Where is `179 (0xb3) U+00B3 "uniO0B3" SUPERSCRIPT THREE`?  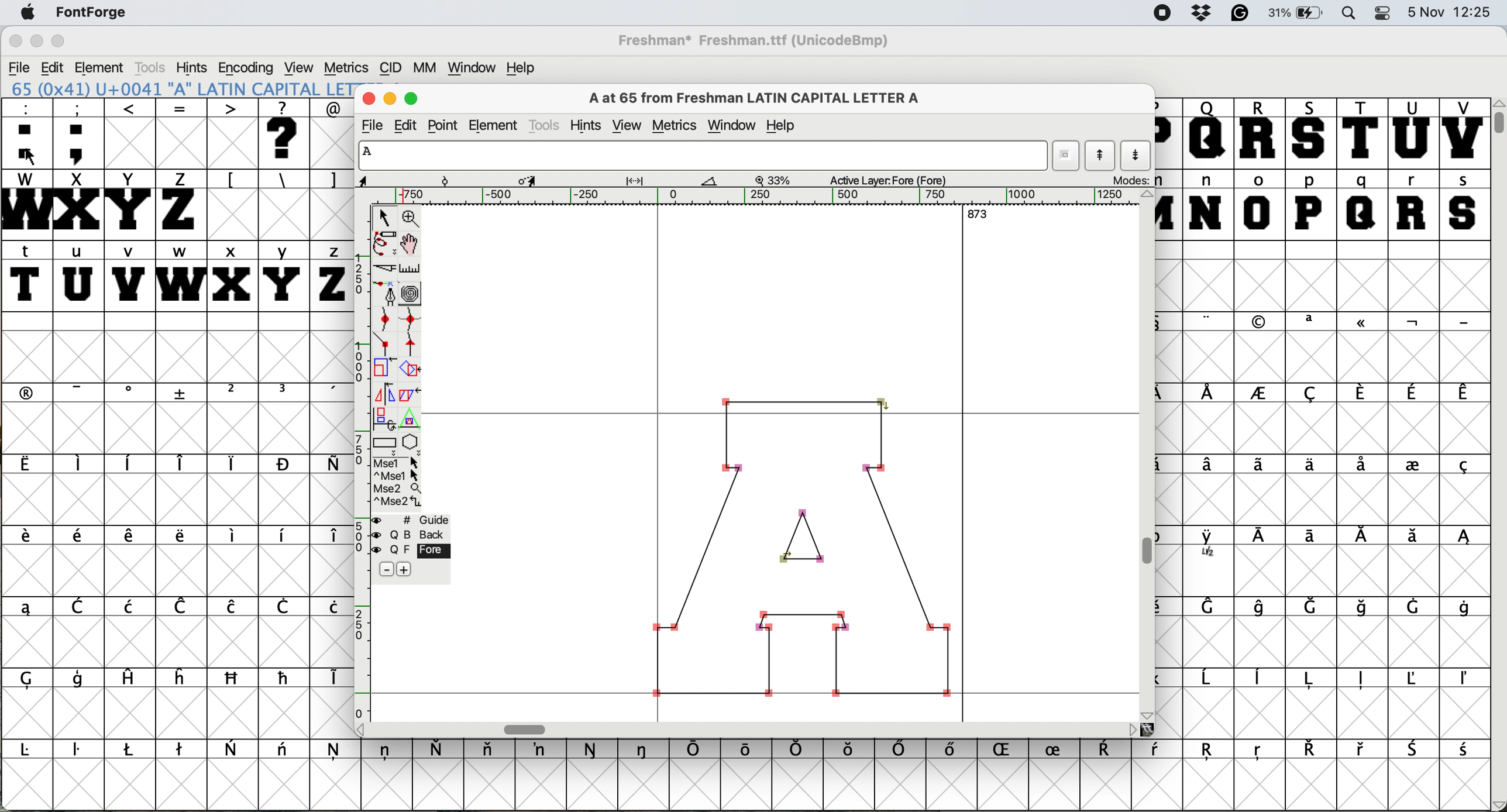
179 (0xb3) U+00B3 "uniO0B3" SUPERSCRIPT THREE is located at coordinates (178, 88).